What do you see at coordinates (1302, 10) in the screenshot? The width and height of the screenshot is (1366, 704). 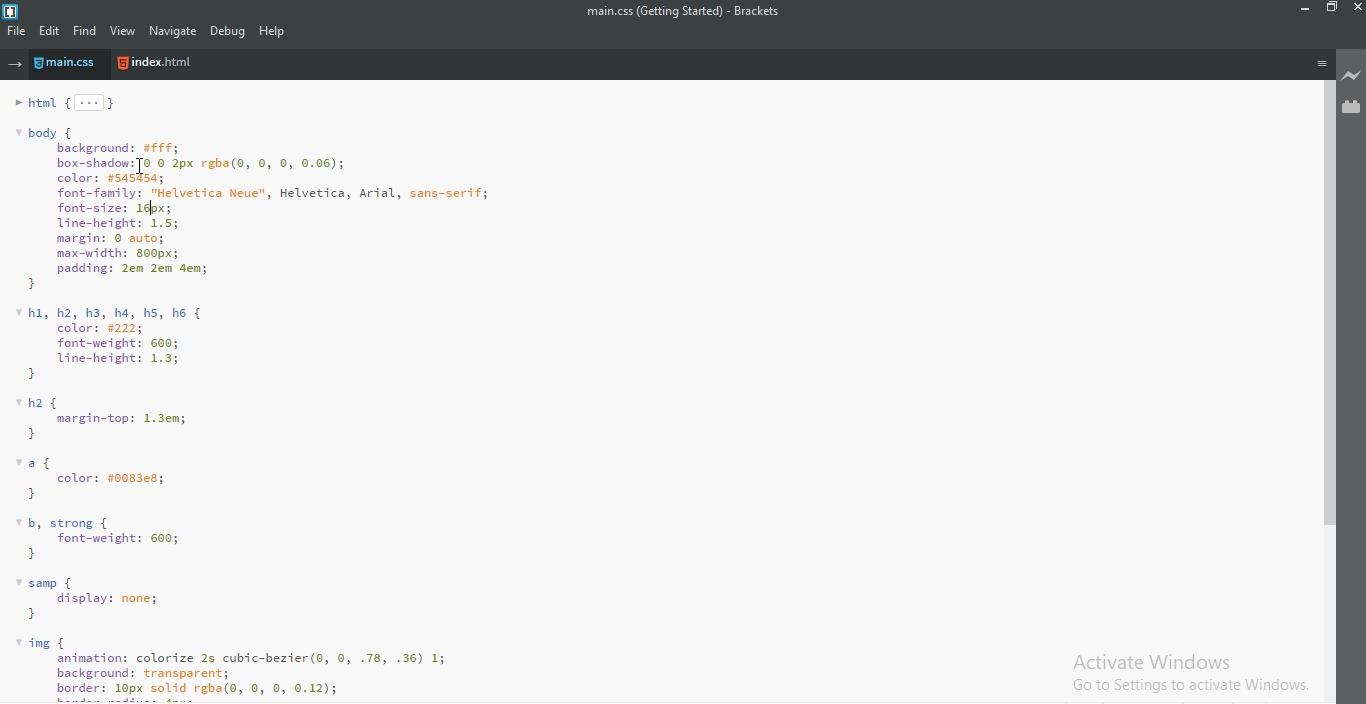 I see `minimise` at bounding box center [1302, 10].